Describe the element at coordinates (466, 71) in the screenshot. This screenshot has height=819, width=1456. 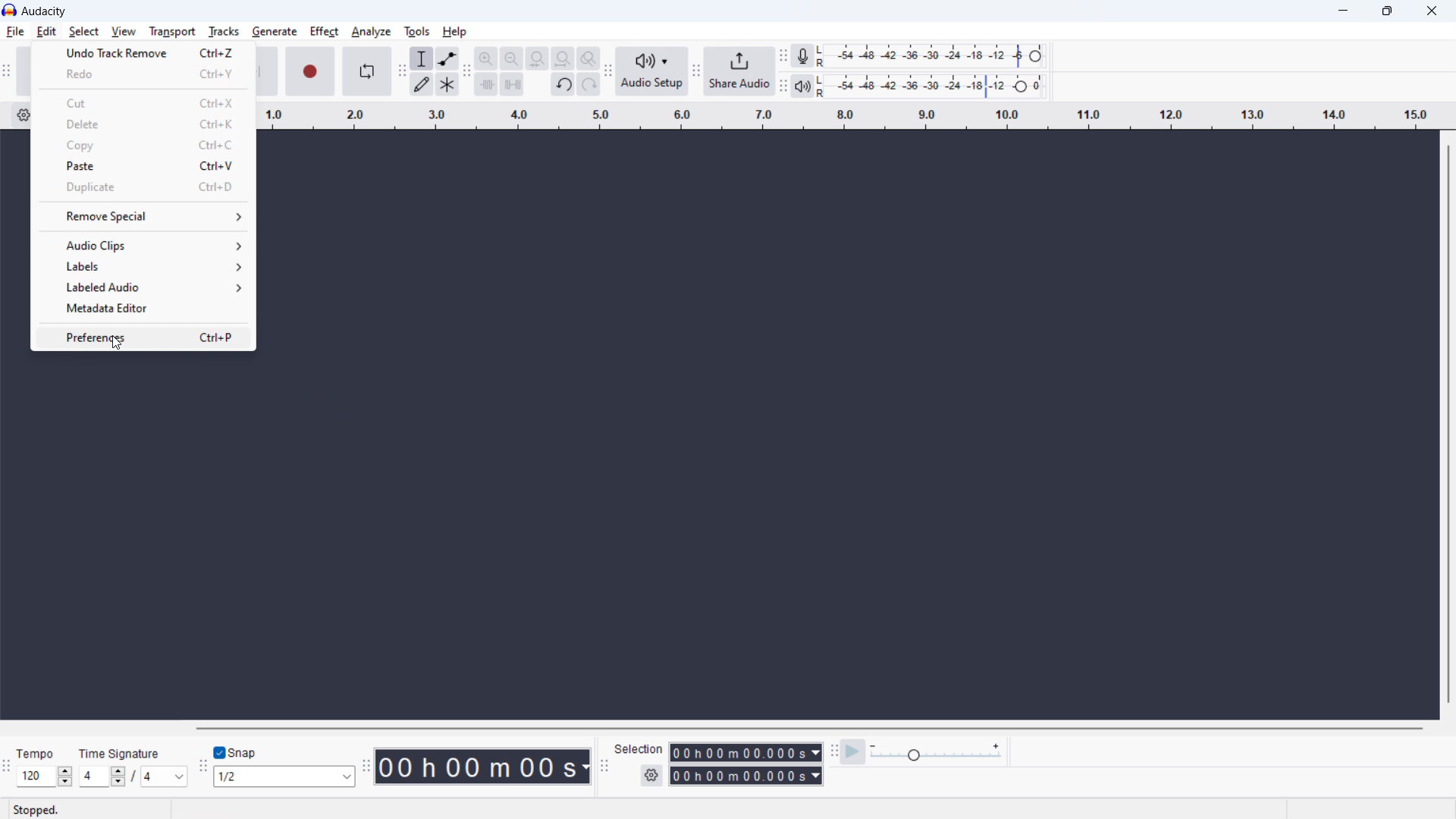
I see `edit toolbar` at that location.